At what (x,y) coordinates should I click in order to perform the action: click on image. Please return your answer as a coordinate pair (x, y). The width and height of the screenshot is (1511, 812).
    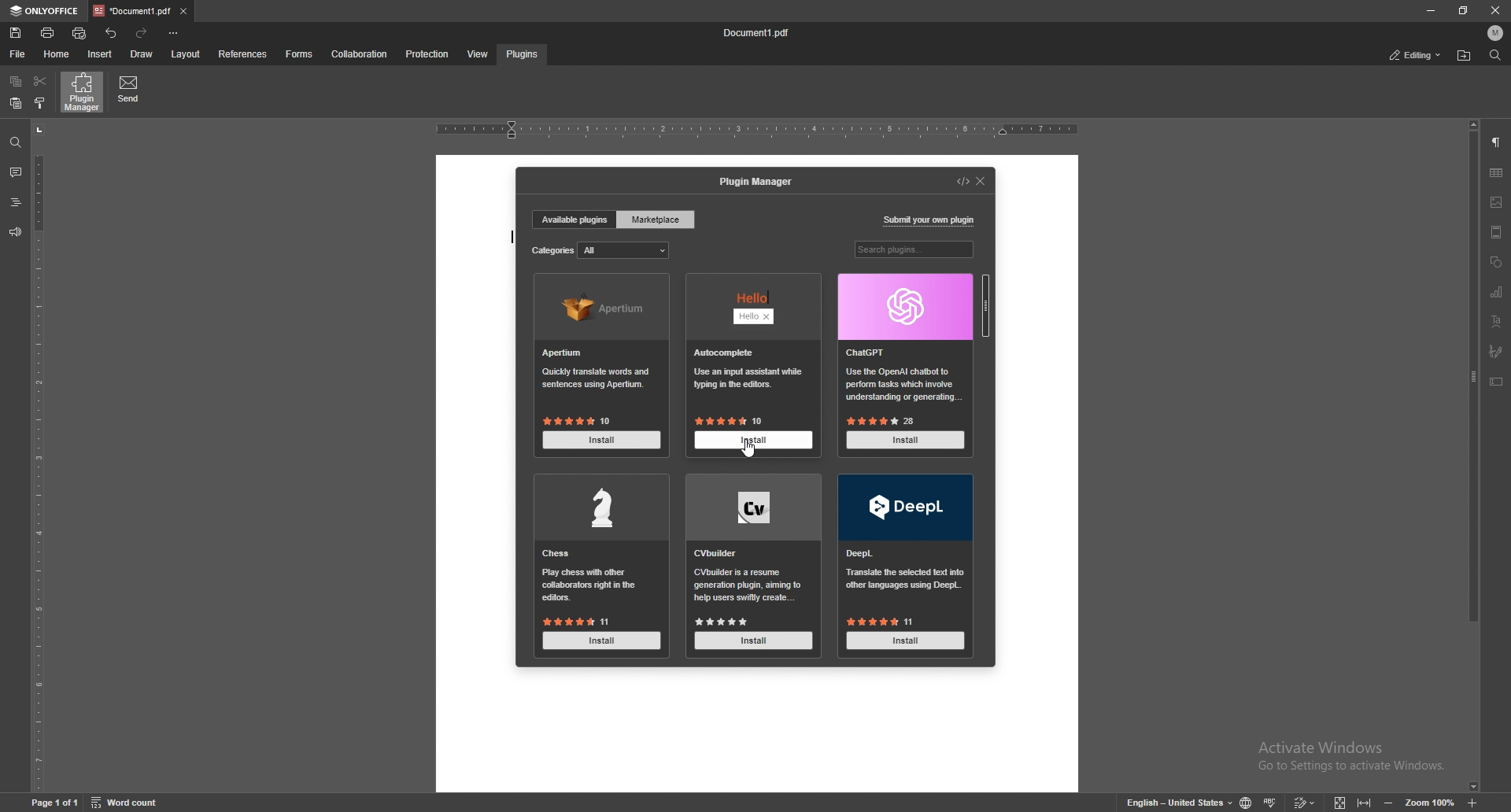
    Looking at the image, I should click on (1497, 203).